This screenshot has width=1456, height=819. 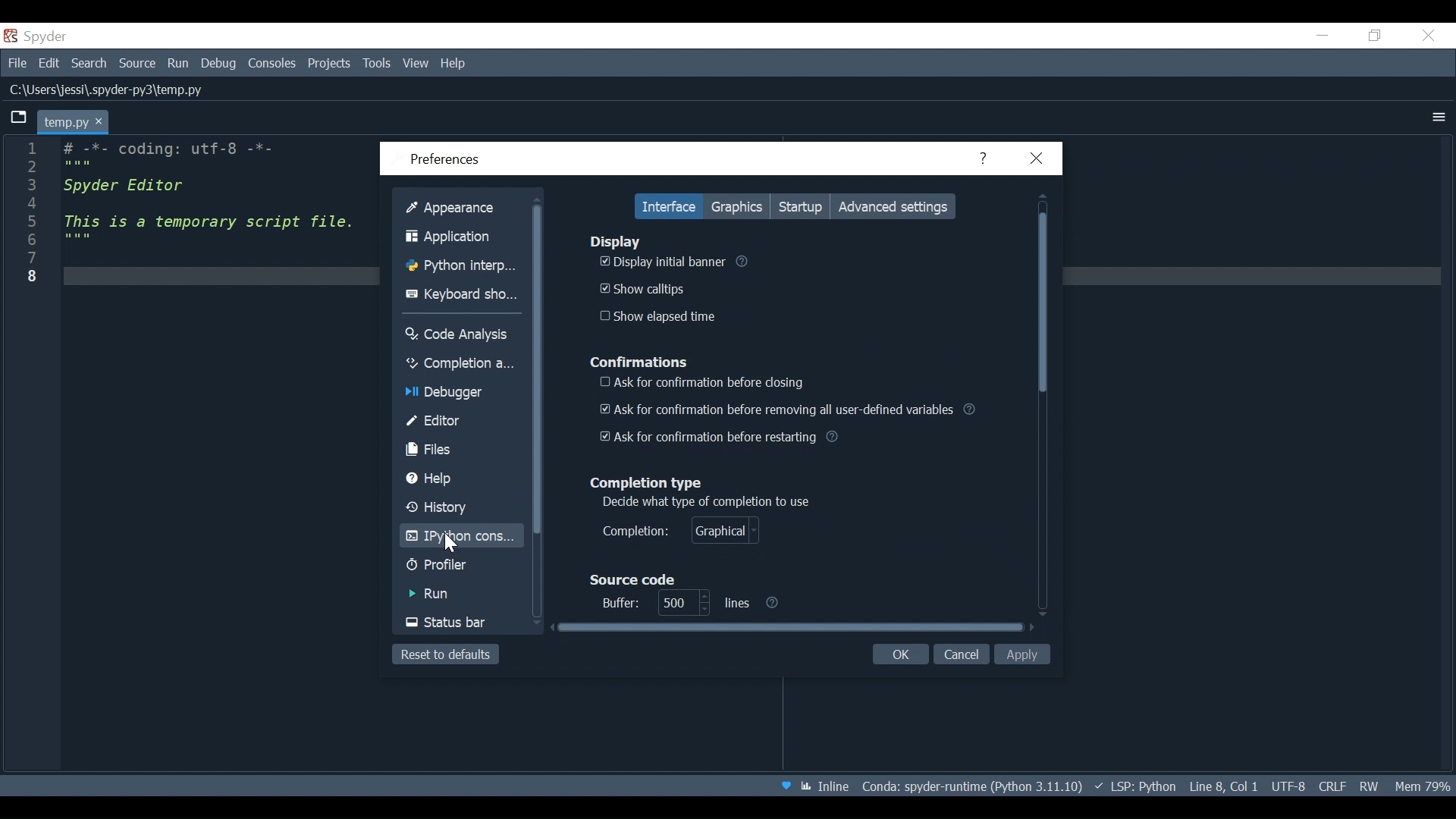 I want to click on Help, so click(x=460, y=63).